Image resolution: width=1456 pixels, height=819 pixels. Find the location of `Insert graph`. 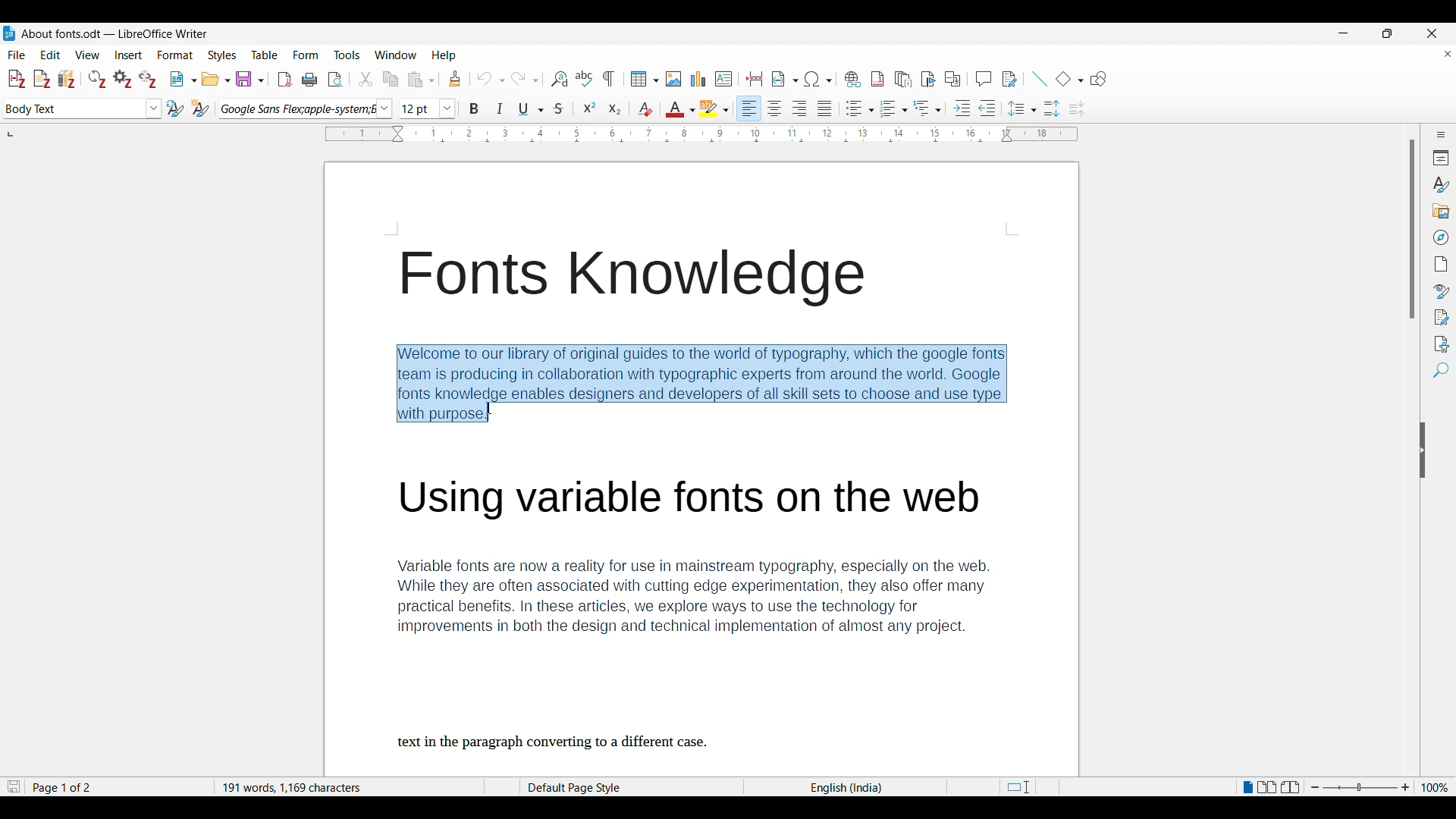

Insert graph is located at coordinates (698, 78).